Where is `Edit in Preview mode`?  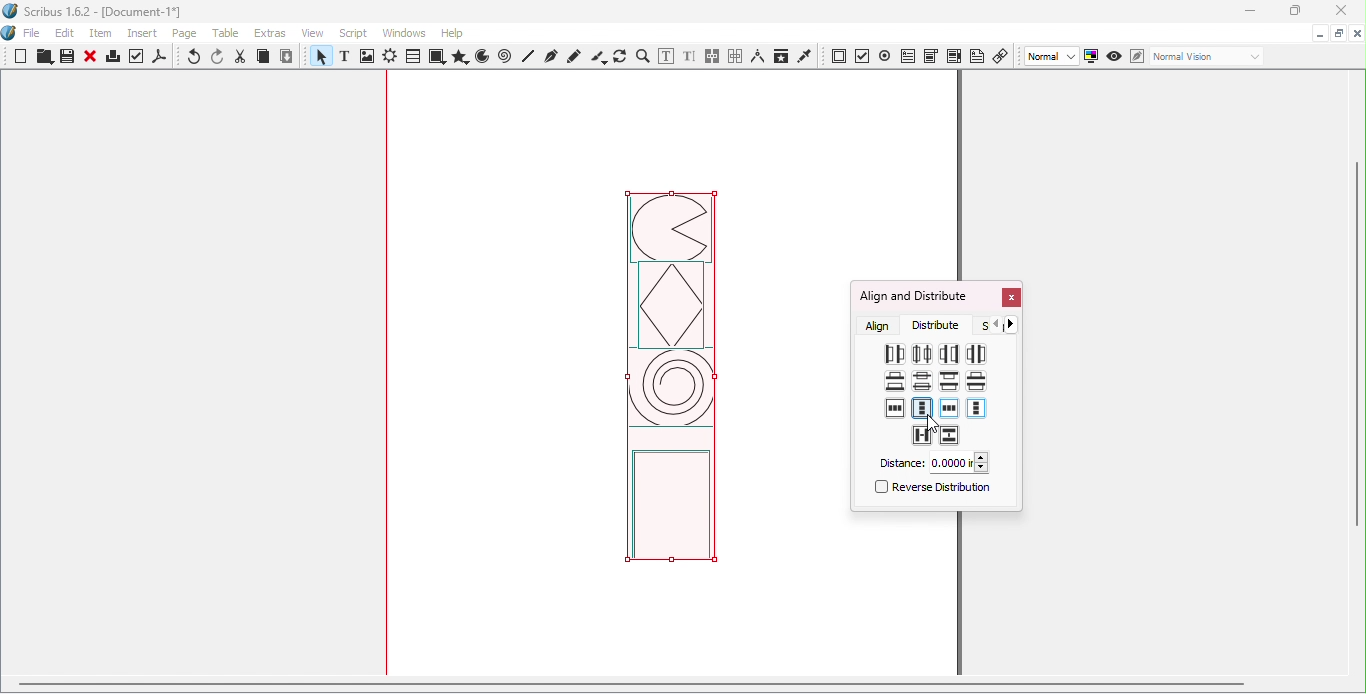
Edit in Preview mode is located at coordinates (1136, 55).